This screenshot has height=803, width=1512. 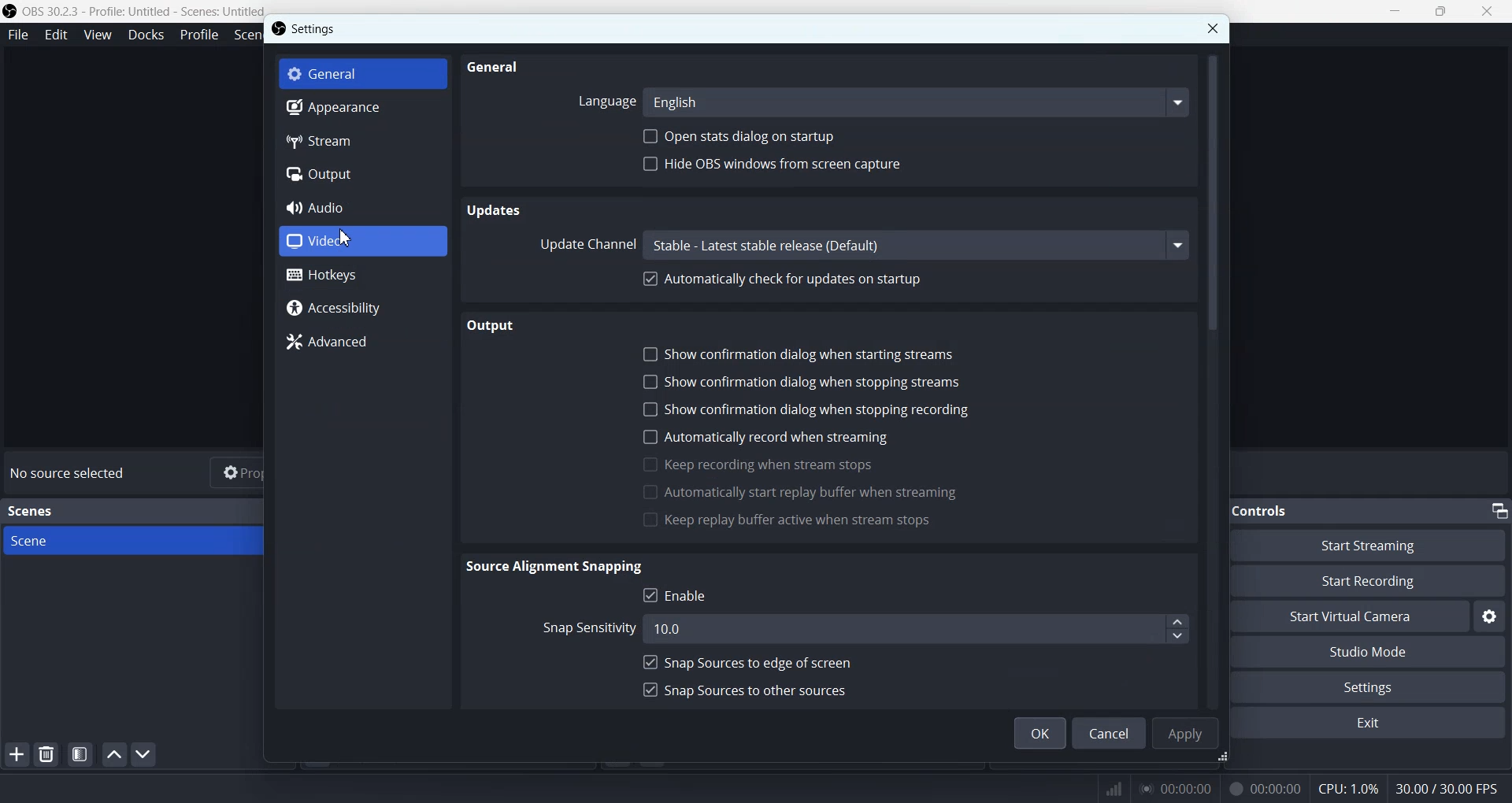 I want to click on Settings, so click(x=1377, y=686).